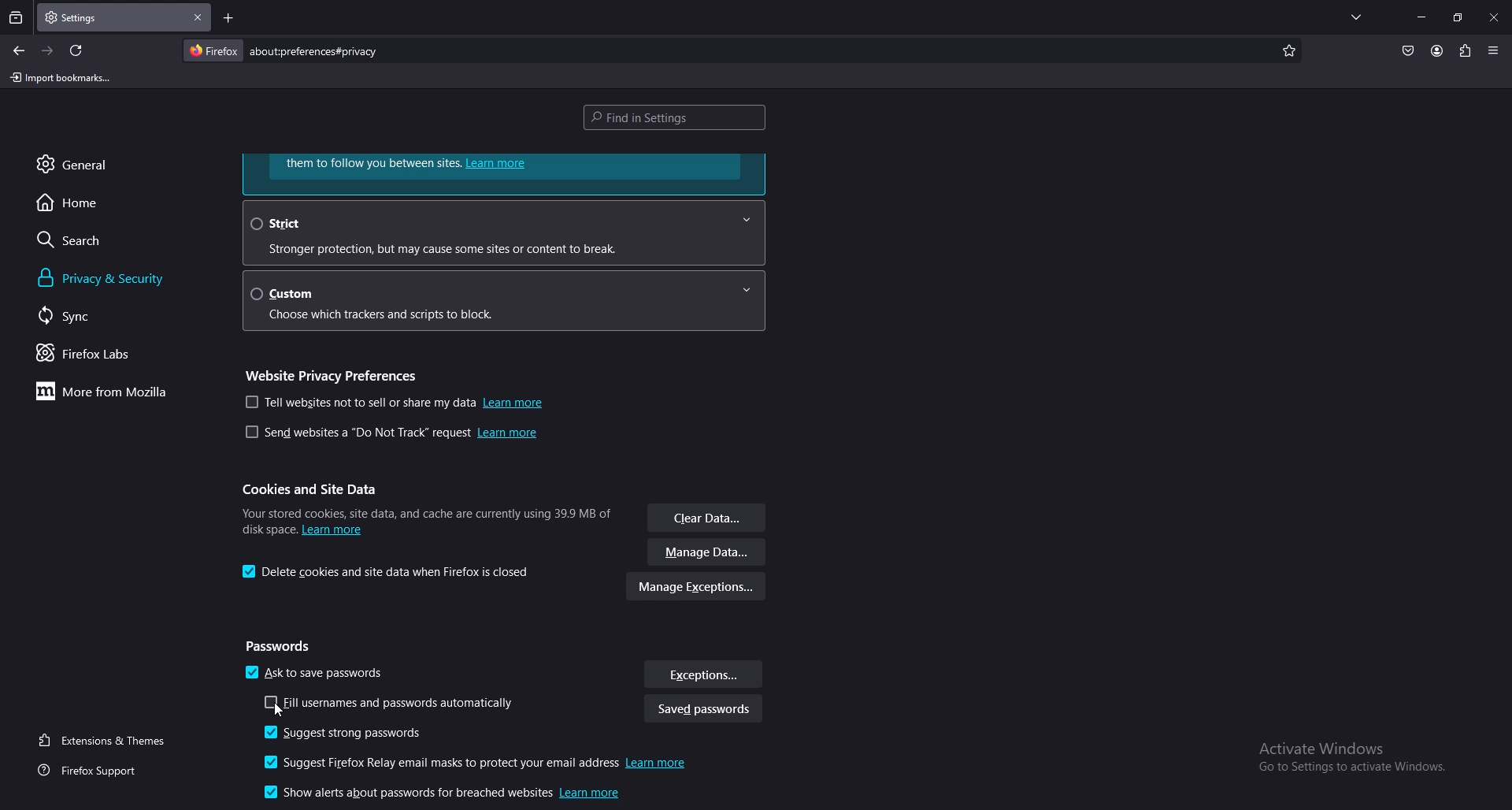  What do you see at coordinates (394, 702) in the screenshot?
I see `autofill` at bounding box center [394, 702].